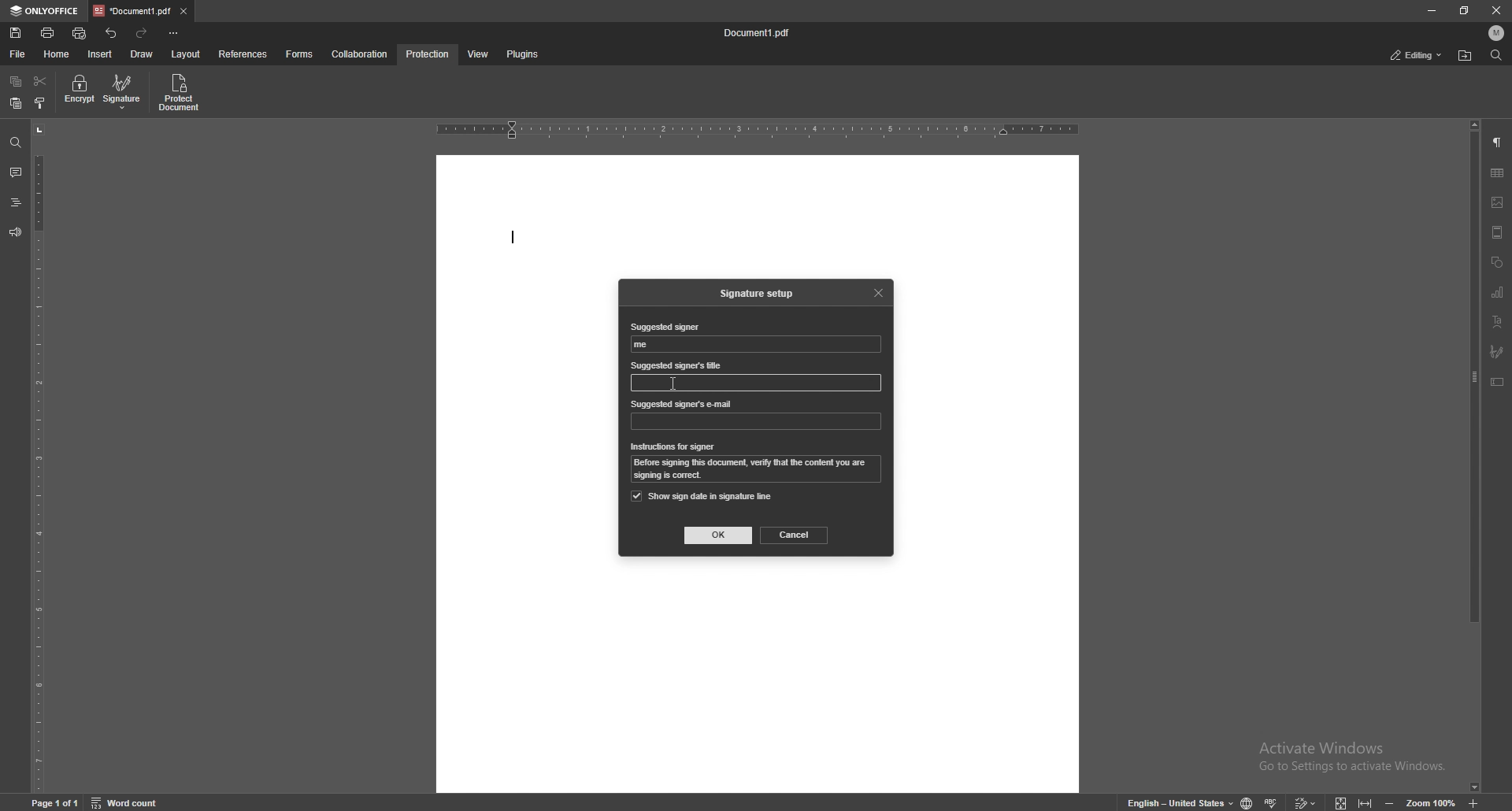 The width and height of the screenshot is (1512, 811). I want to click on encrypt, so click(79, 91).